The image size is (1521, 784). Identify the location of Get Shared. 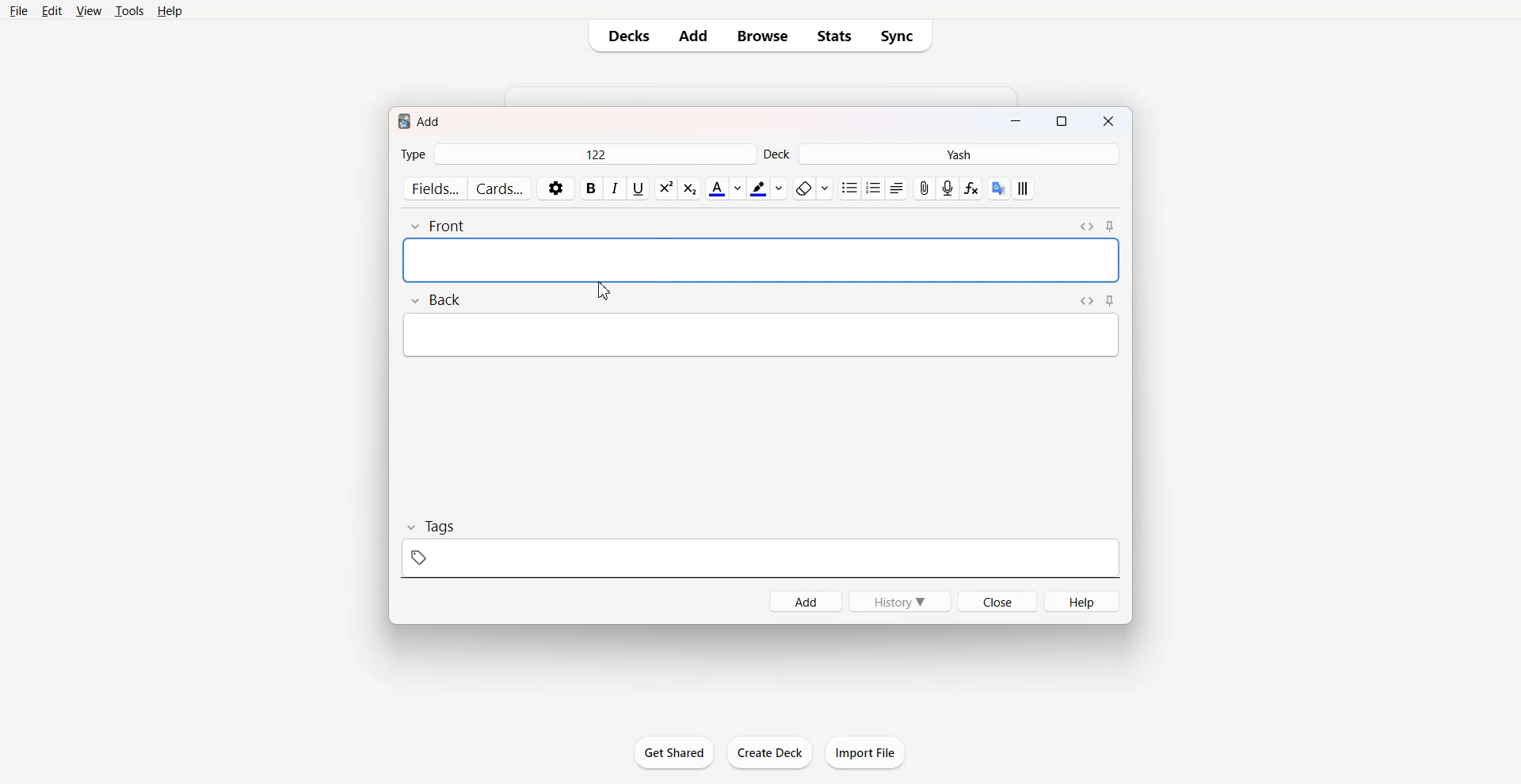
(673, 752).